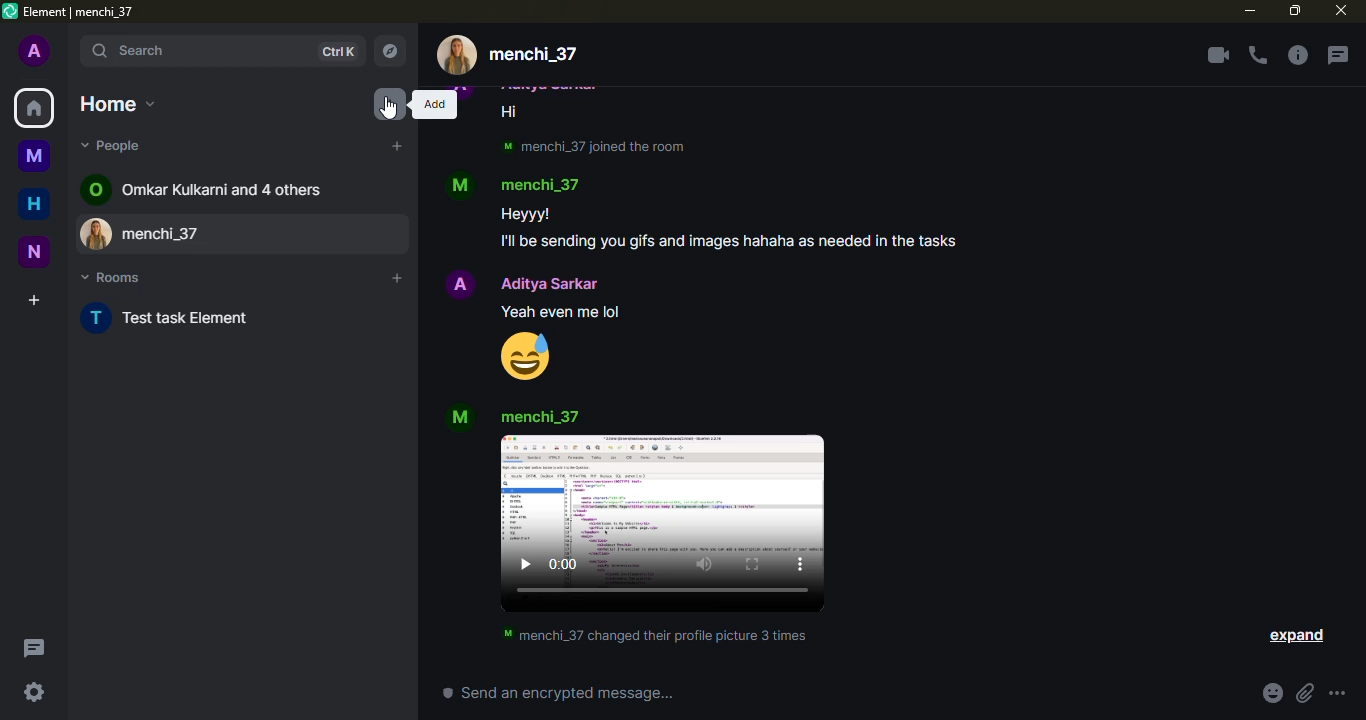 This screenshot has height=720, width=1366. What do you see at coordinates (461, 186) in the screenshot?
I see `Profile initial` at bounding box center [461, 186].